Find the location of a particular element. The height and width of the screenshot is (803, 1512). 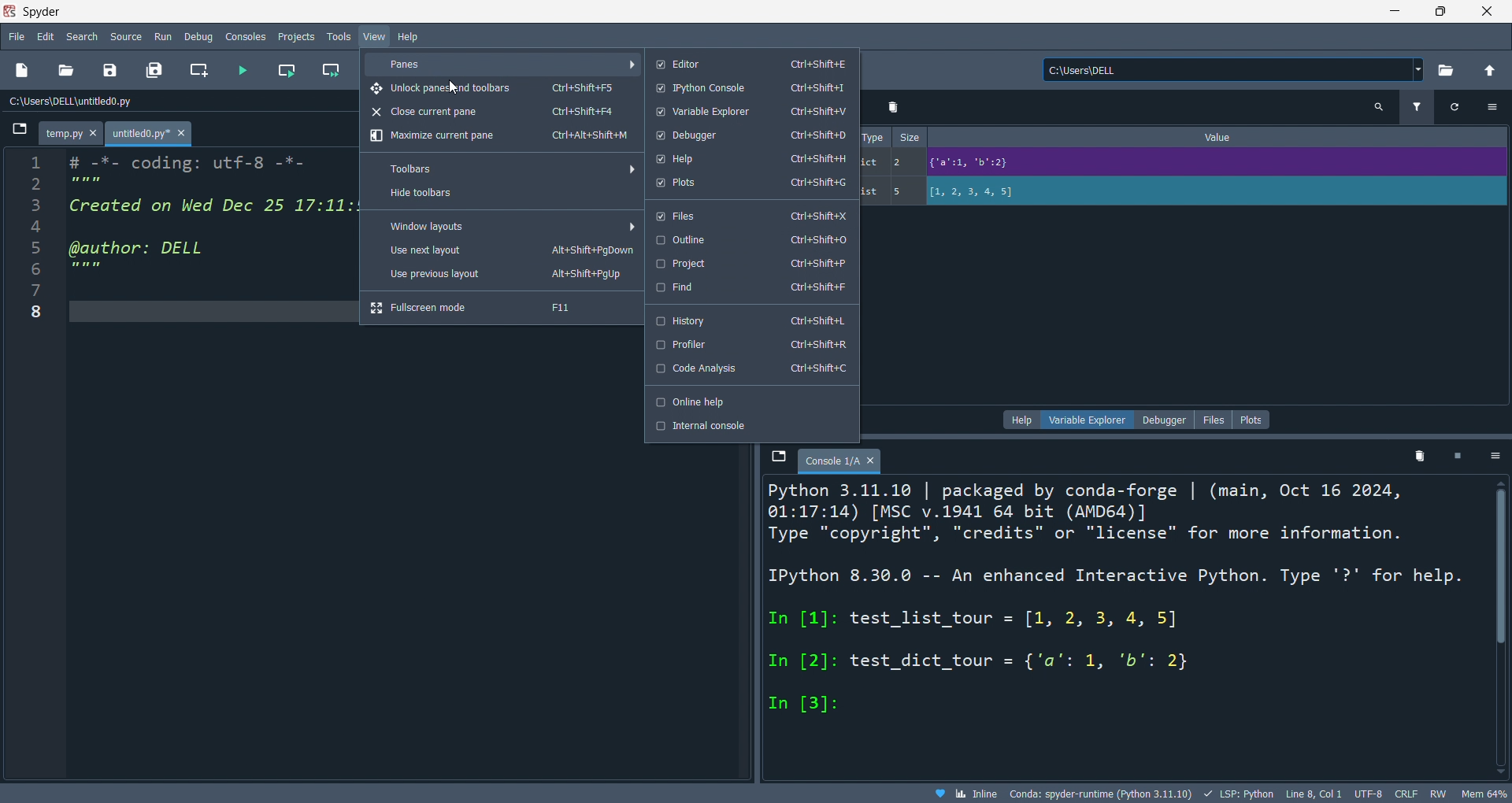

cursor position is located at coordinates (1313, 794).